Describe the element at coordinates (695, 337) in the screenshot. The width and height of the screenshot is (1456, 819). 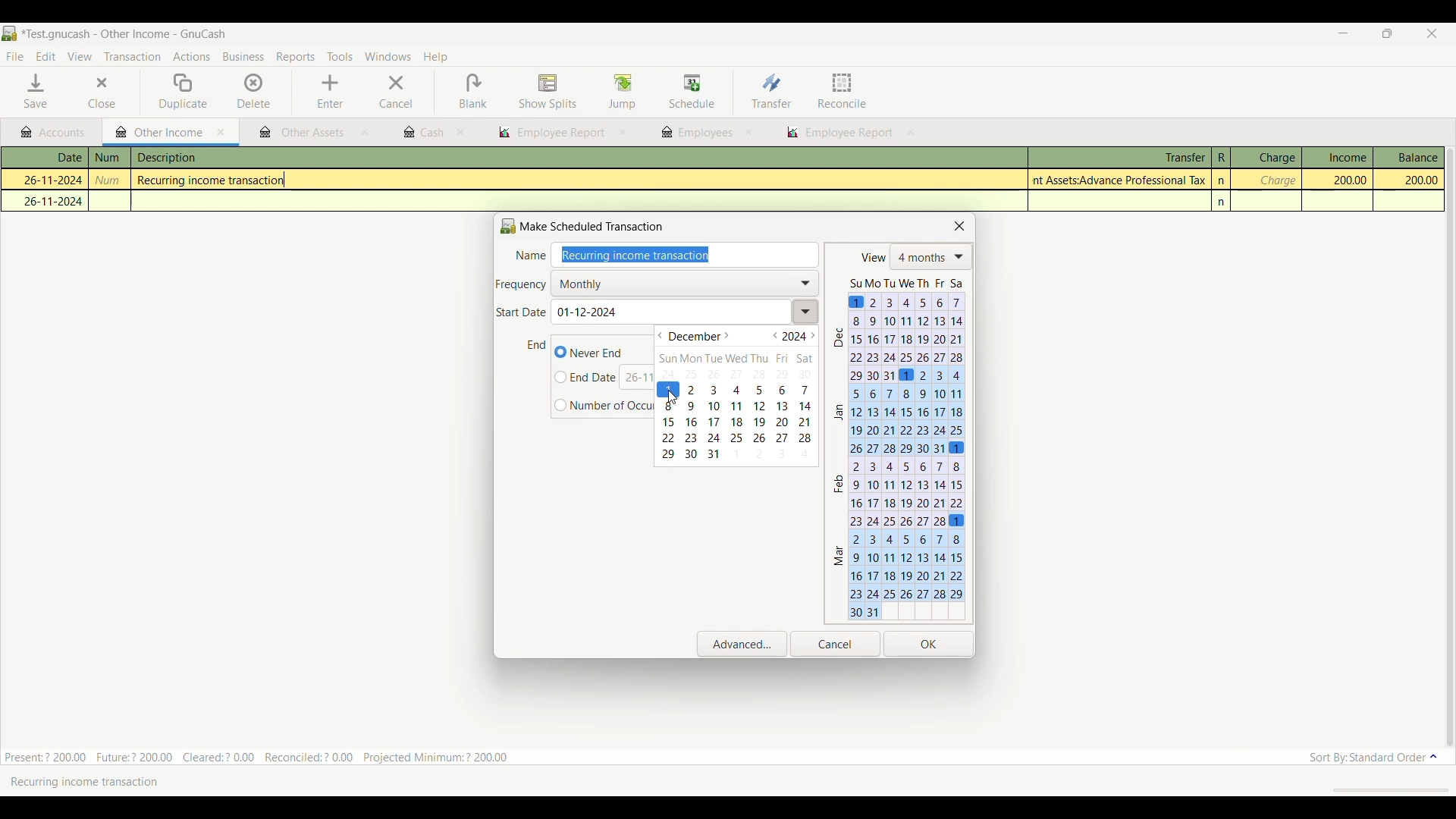
I see `Current month` at that location.